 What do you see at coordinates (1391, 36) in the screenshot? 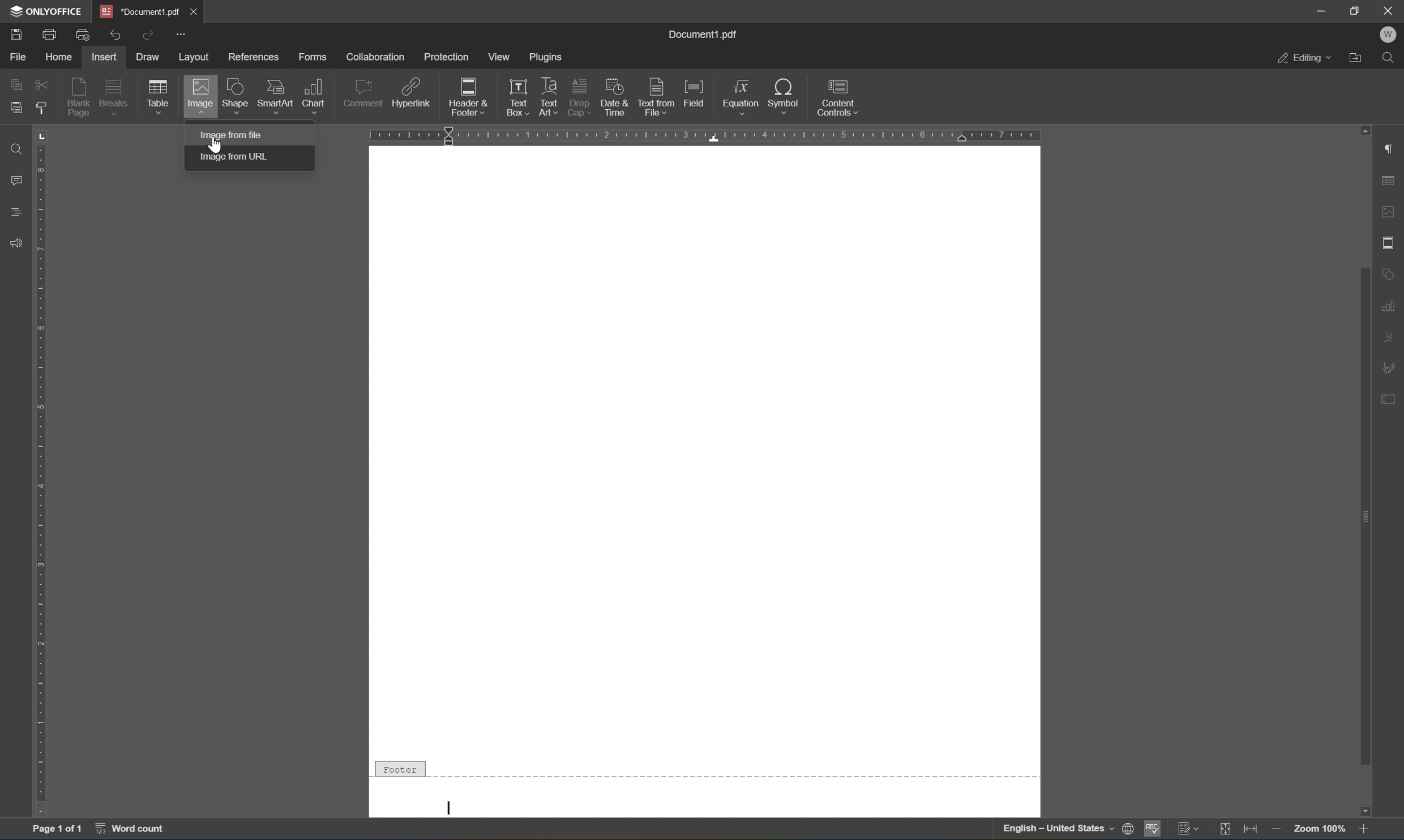
I see `profile` at bounding box center [1391, 36].